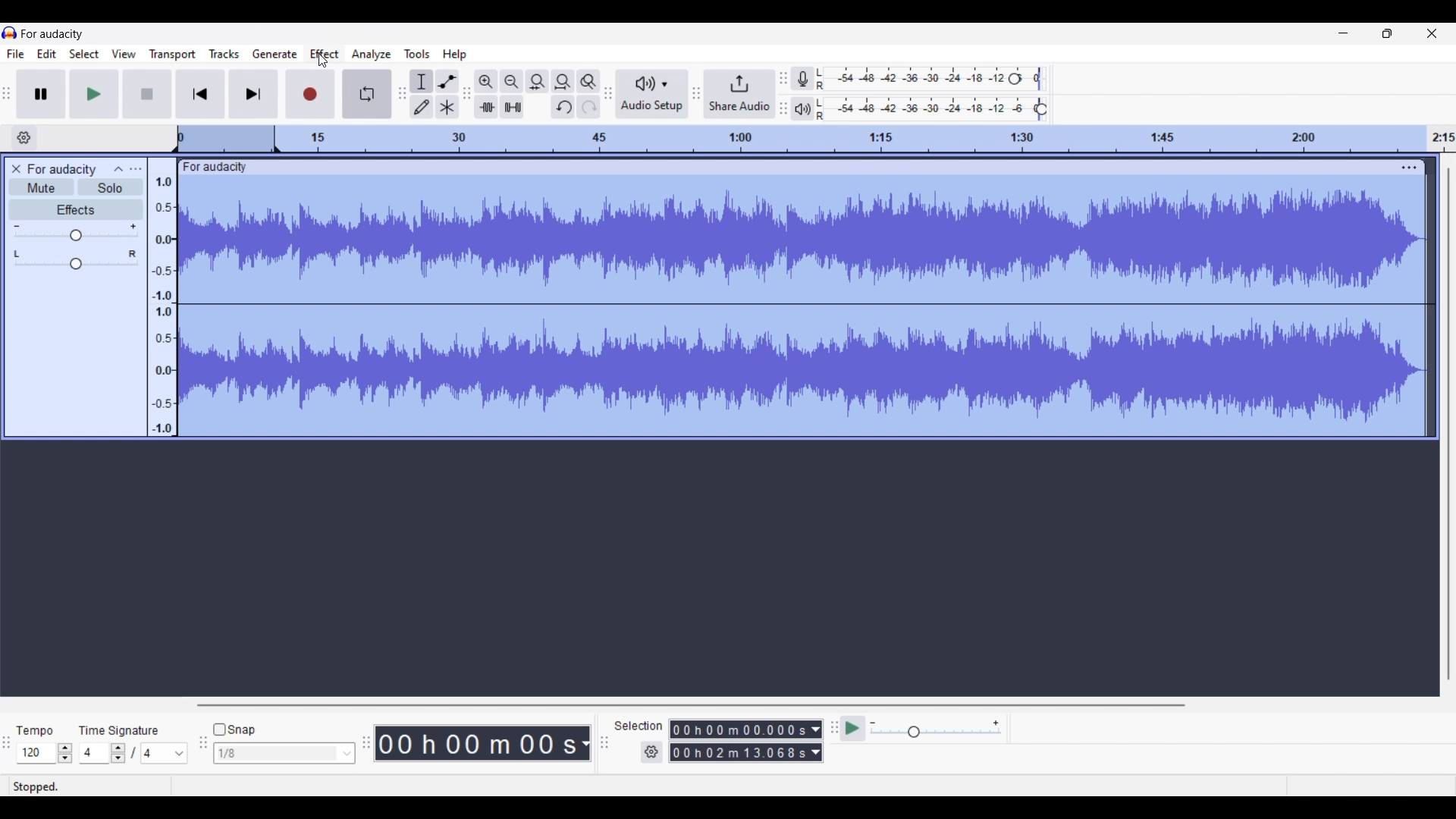  Describe the element at coordinates (416, 54) in the screenshot. I see `Tools menu` at that location.